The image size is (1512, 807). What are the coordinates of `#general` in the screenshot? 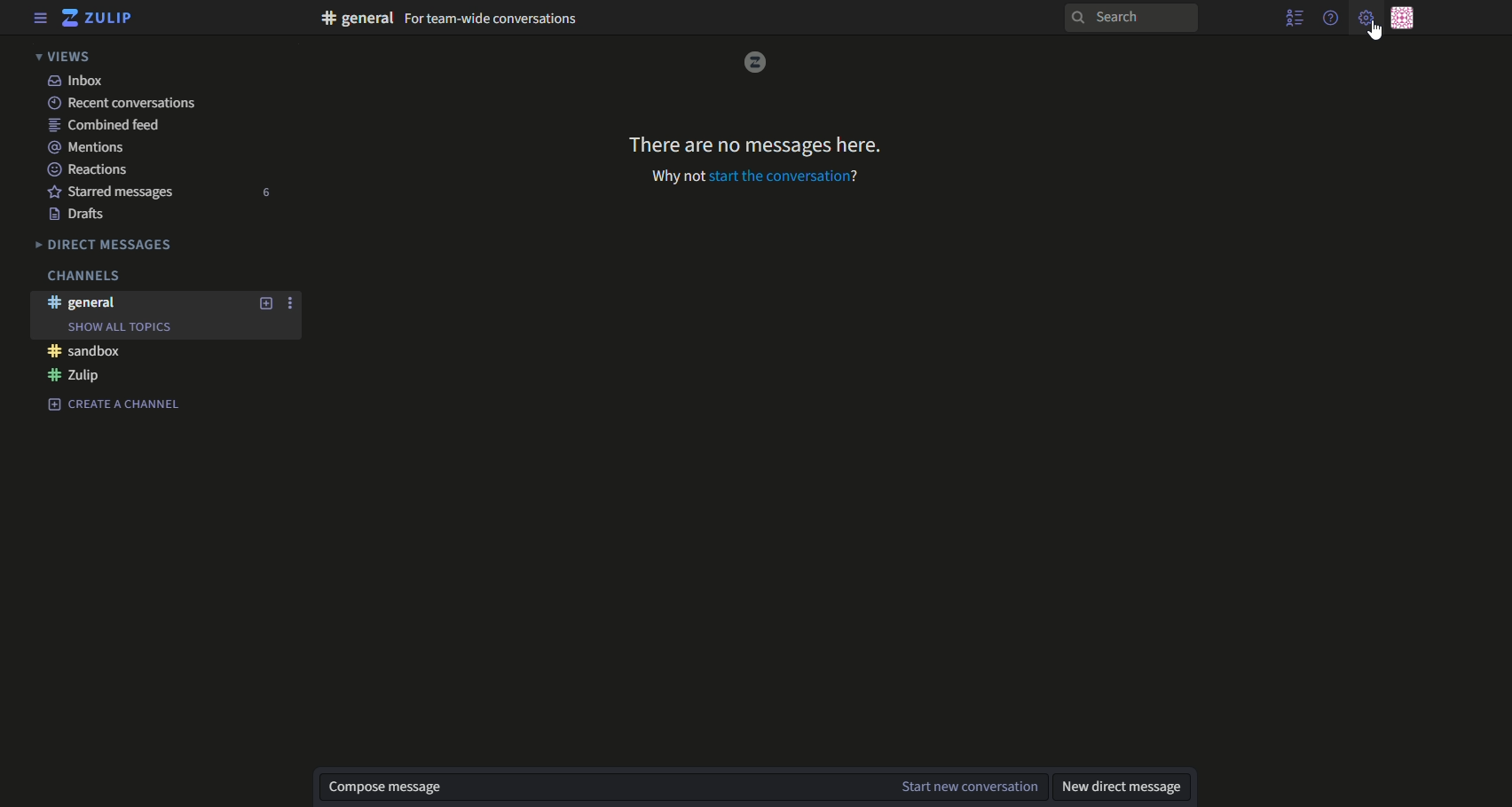 It's located at (85, 302).